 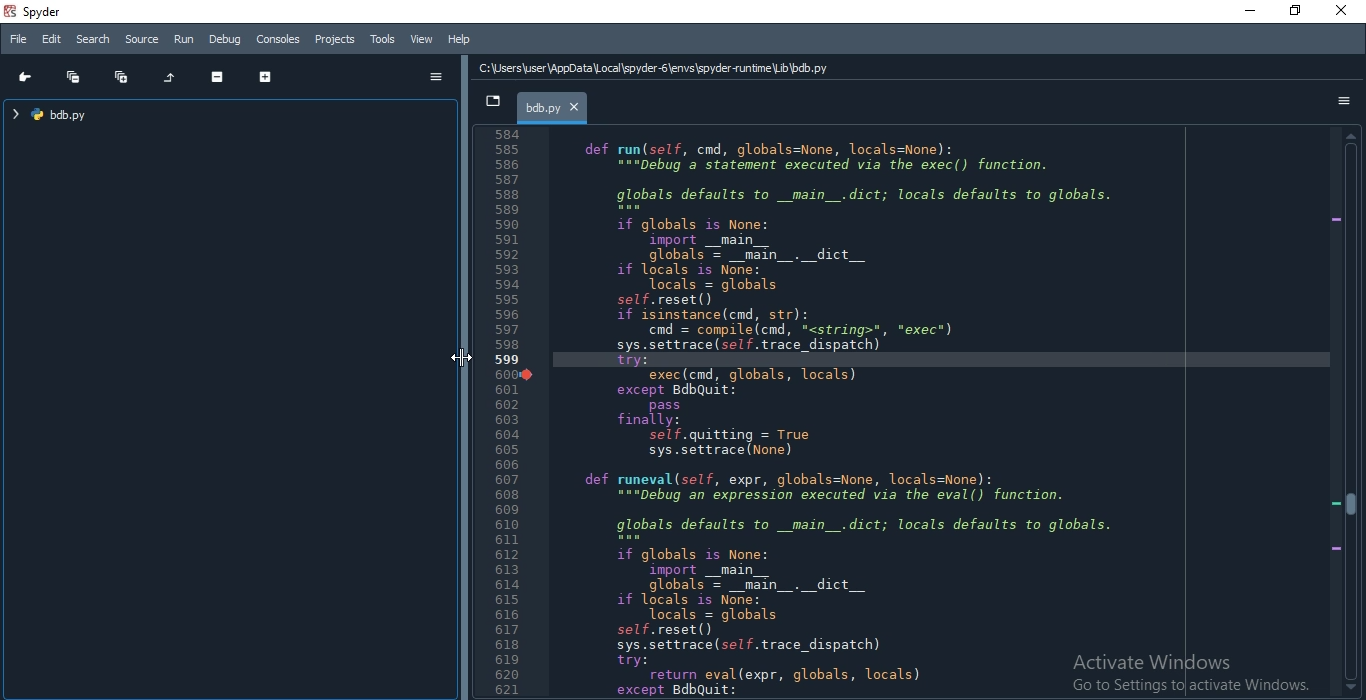 I want to click on Edit, so click(x=53, y=40).